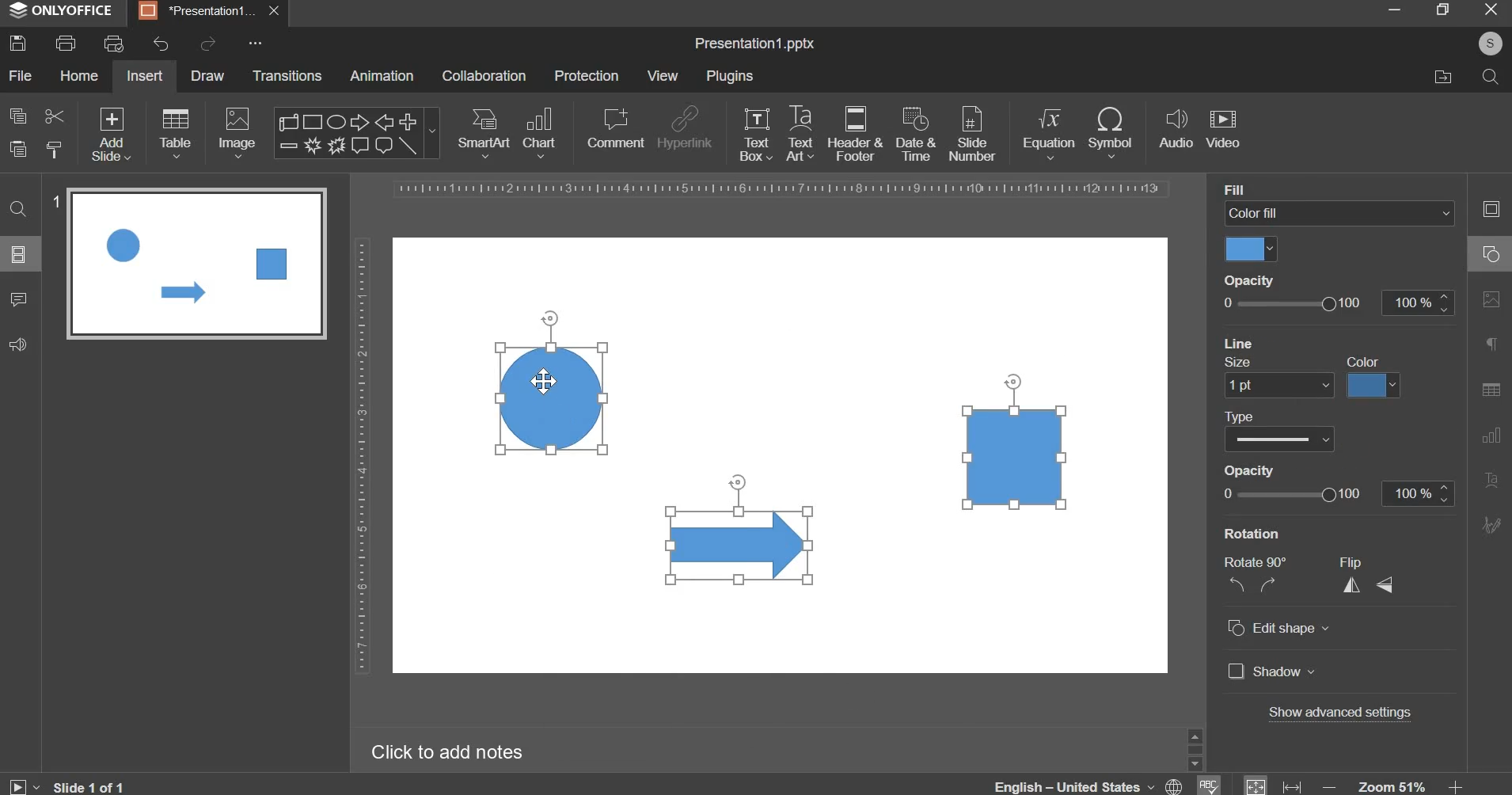 The image size is (1512, 795). What do you see at coordinates (1262, 533) in the screenshot?
I see `Rotation` at bounding box center [1262, 533].